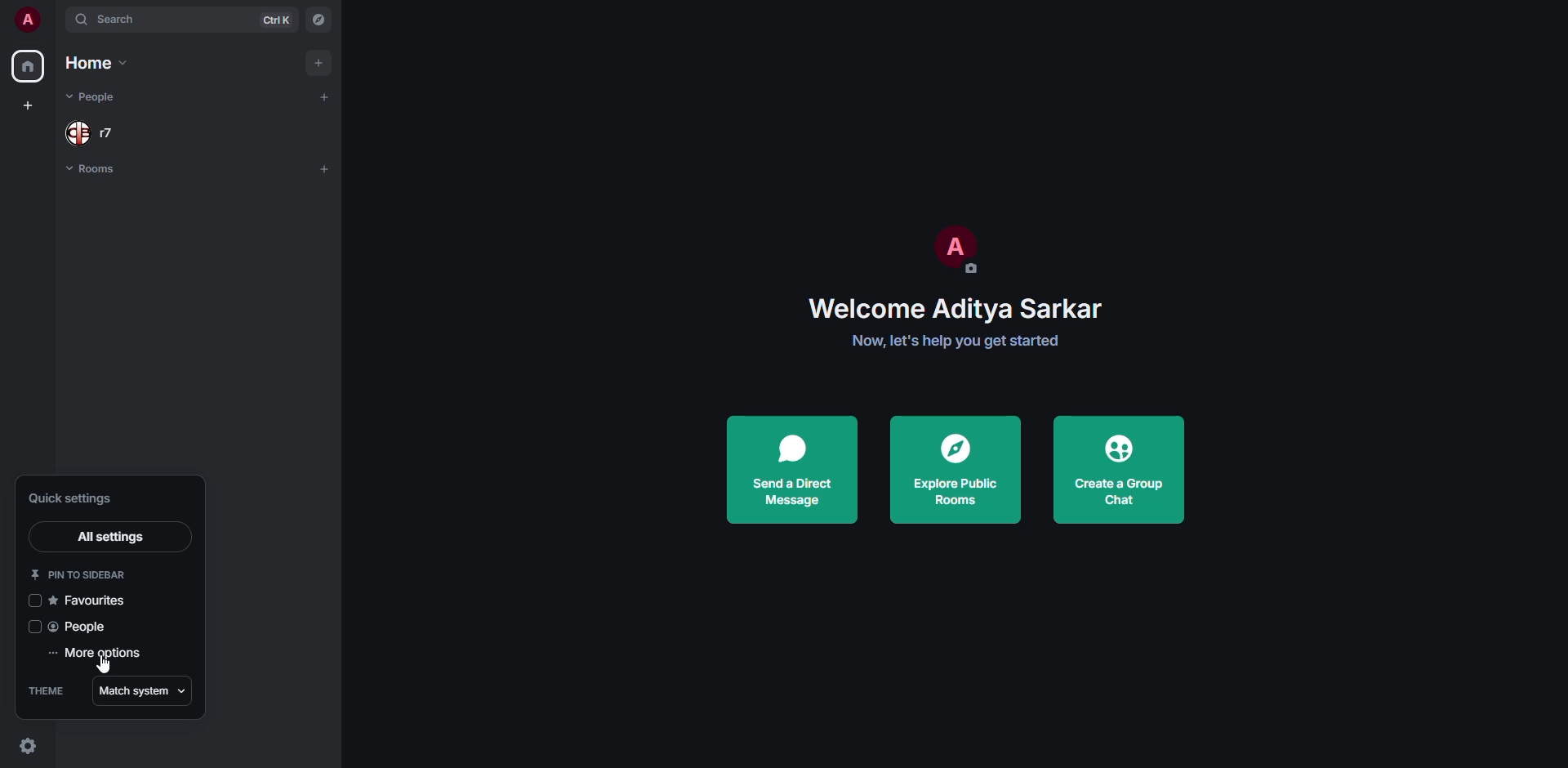  I want to click on quick settings, so click(25, 746).